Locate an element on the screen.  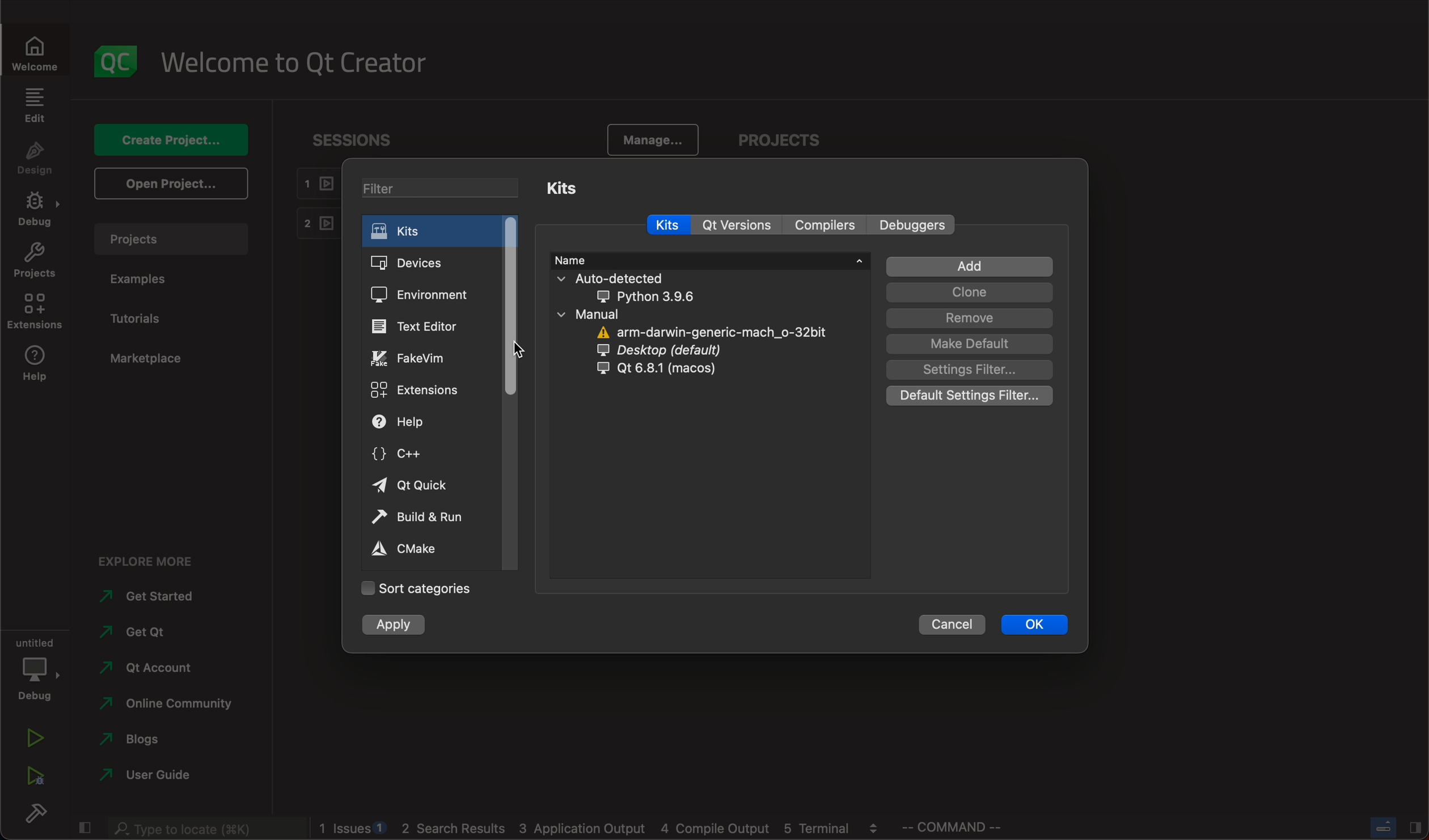
close slide bar is located at coordinates (84, 827).